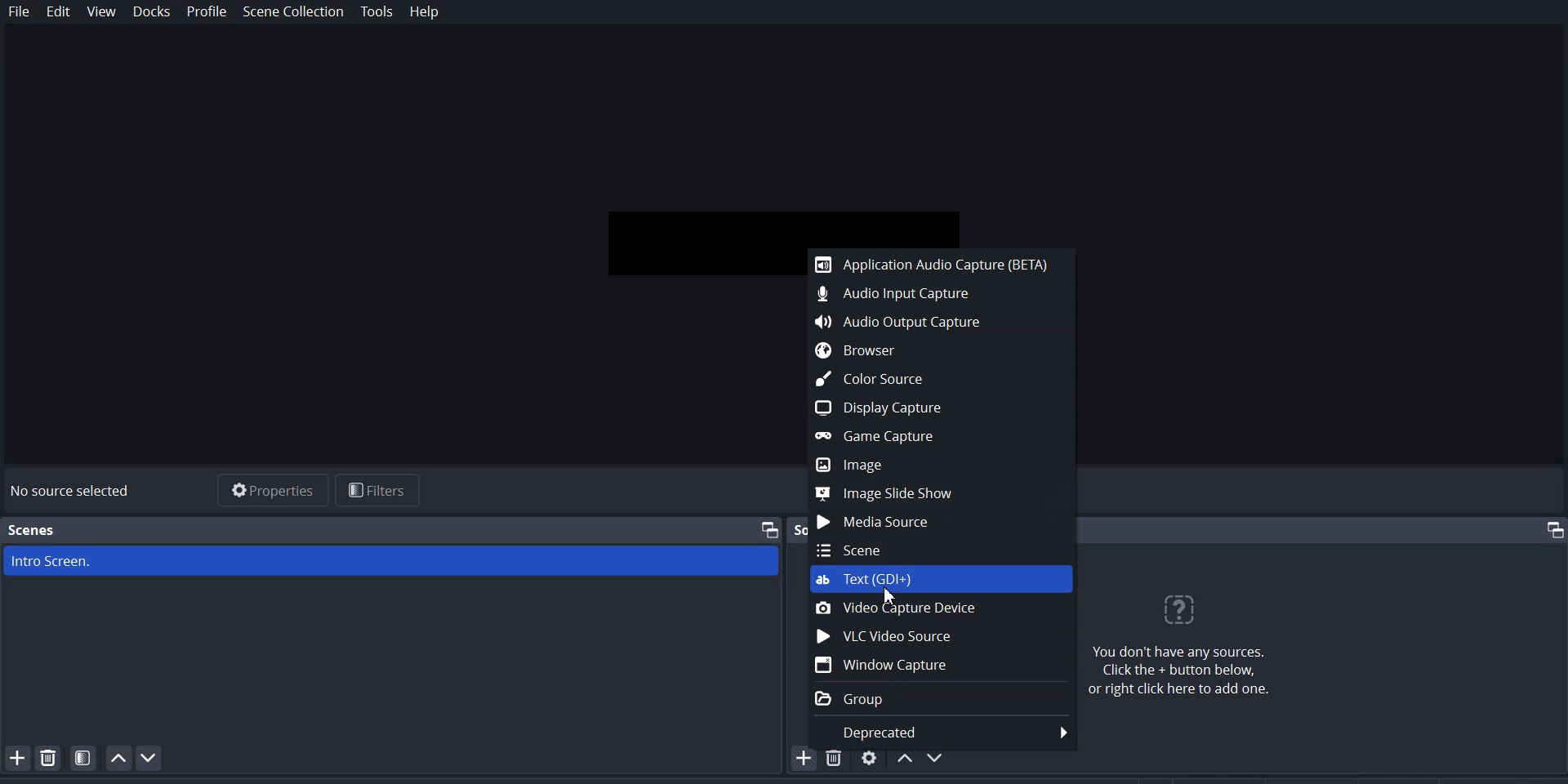  I want to click on Image, so click(935, 465).